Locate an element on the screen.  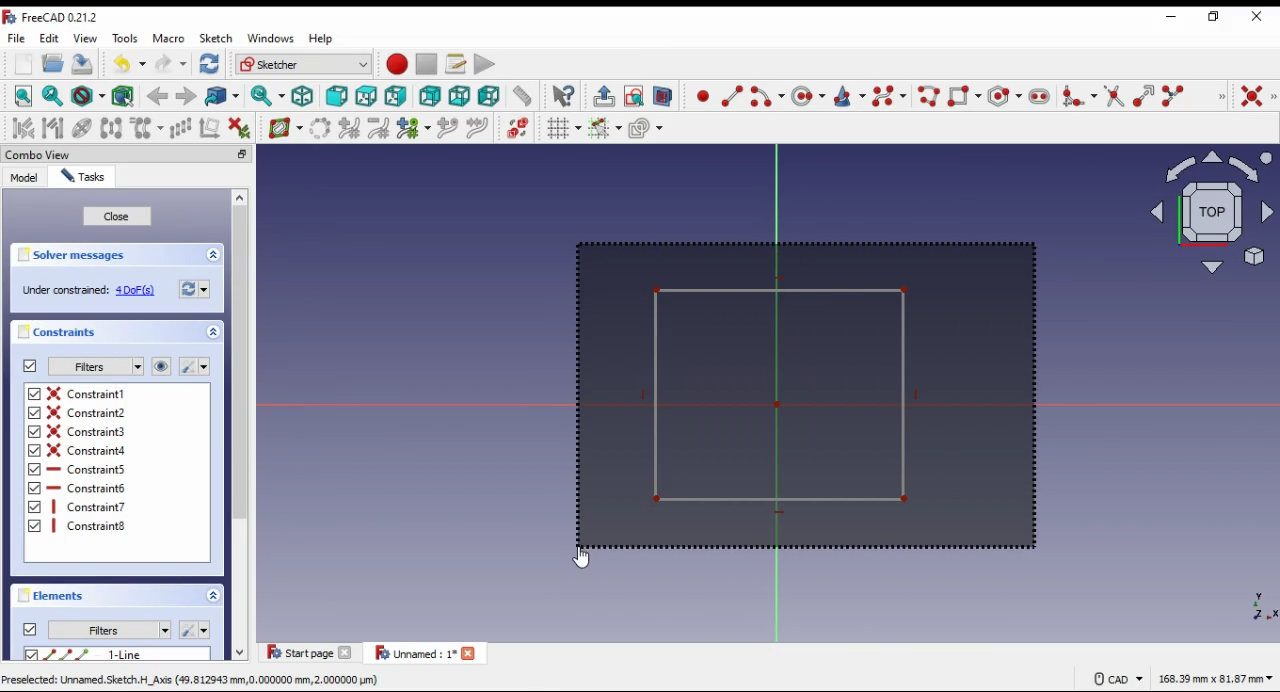
execute macro is located at coordinates (485, 63).